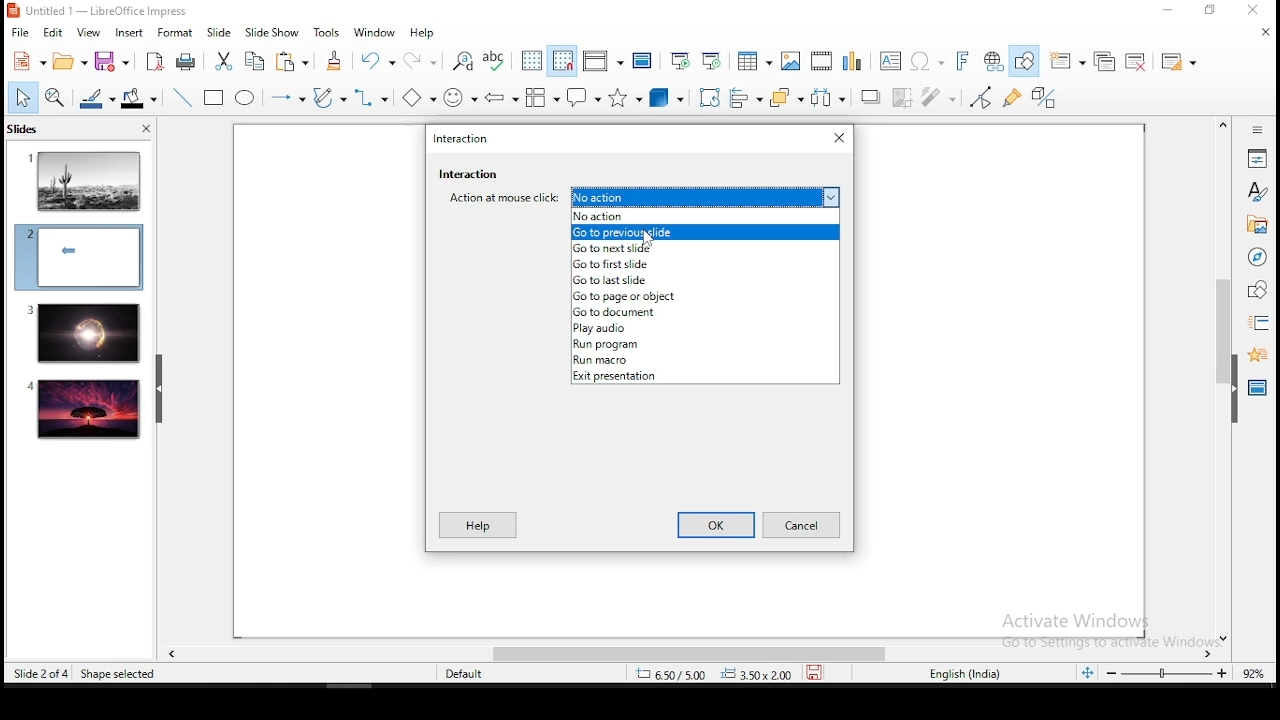 The height and width of the screenshot is (720, 1280). I want to click on close window, so click(839, 137).